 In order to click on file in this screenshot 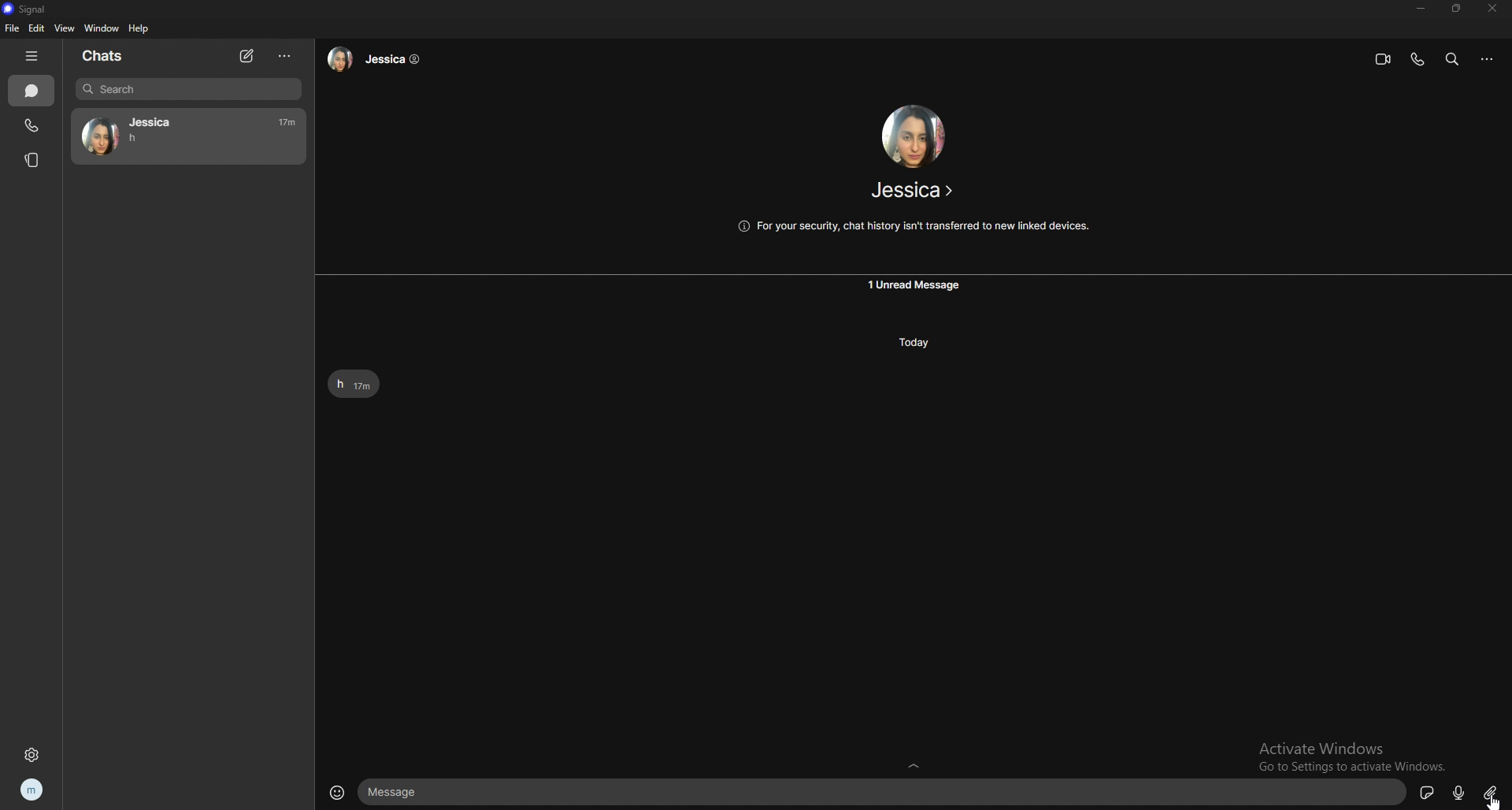, I will do `click(12, 28)`.